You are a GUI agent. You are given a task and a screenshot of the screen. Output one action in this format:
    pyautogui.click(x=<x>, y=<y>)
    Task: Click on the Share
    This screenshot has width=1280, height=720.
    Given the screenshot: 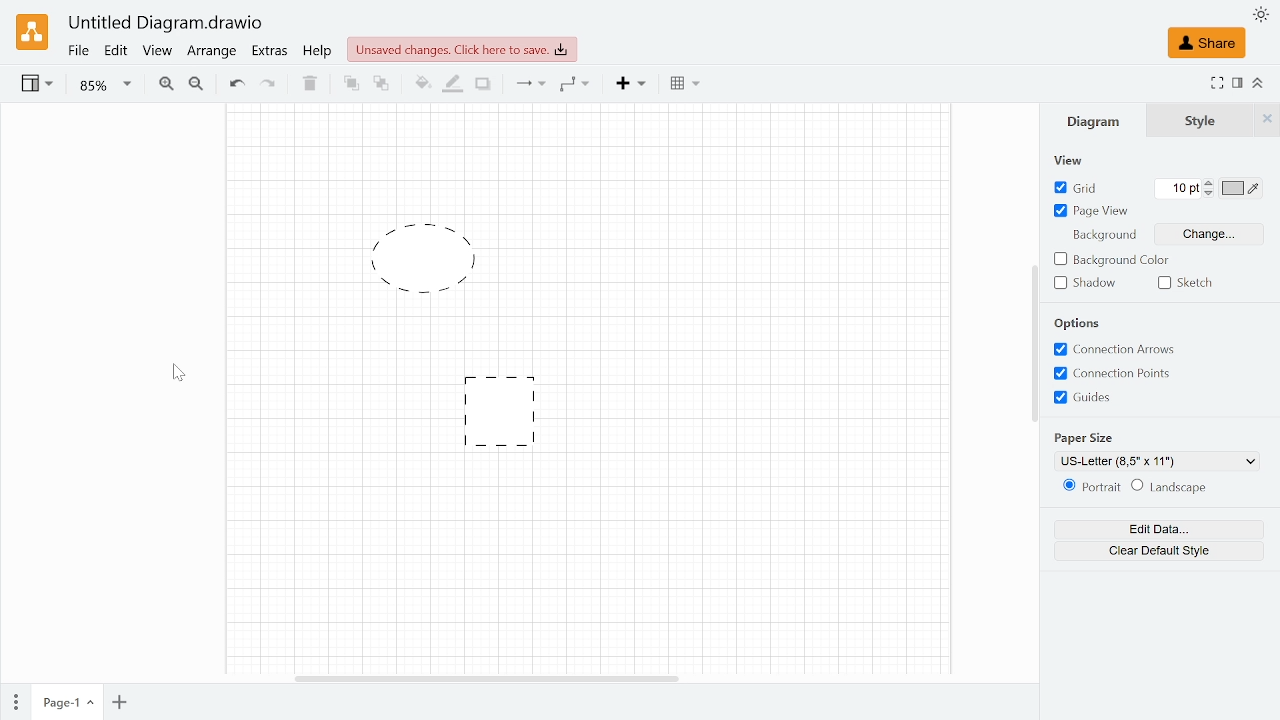 What is the action you would take?
    pyautogui.click(x=1206, y=43)
    